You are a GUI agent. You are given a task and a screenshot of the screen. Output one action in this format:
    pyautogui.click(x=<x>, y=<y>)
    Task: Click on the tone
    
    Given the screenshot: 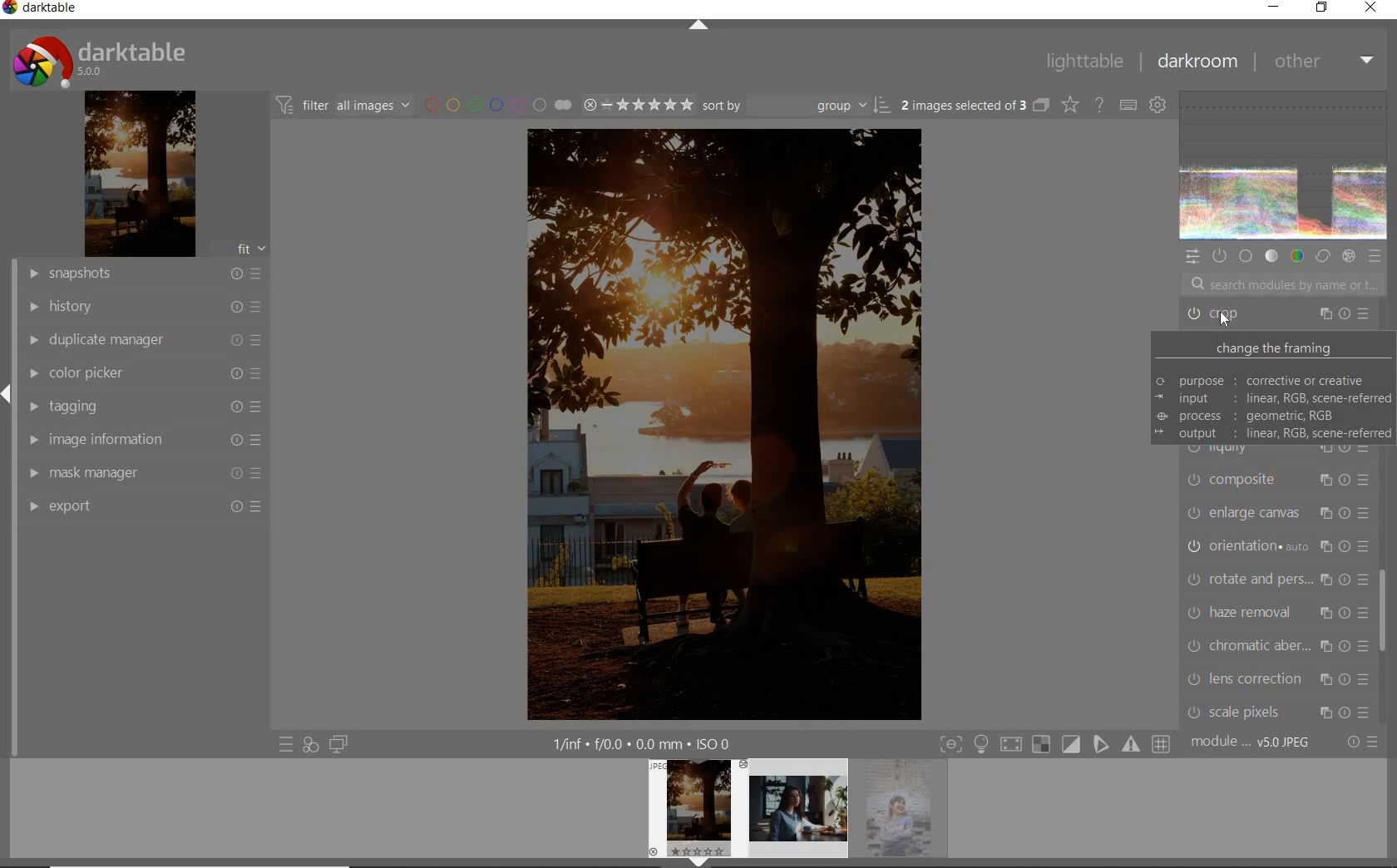 What is the action you would take?
    pyautogui.click(x=1272, y=256)
    